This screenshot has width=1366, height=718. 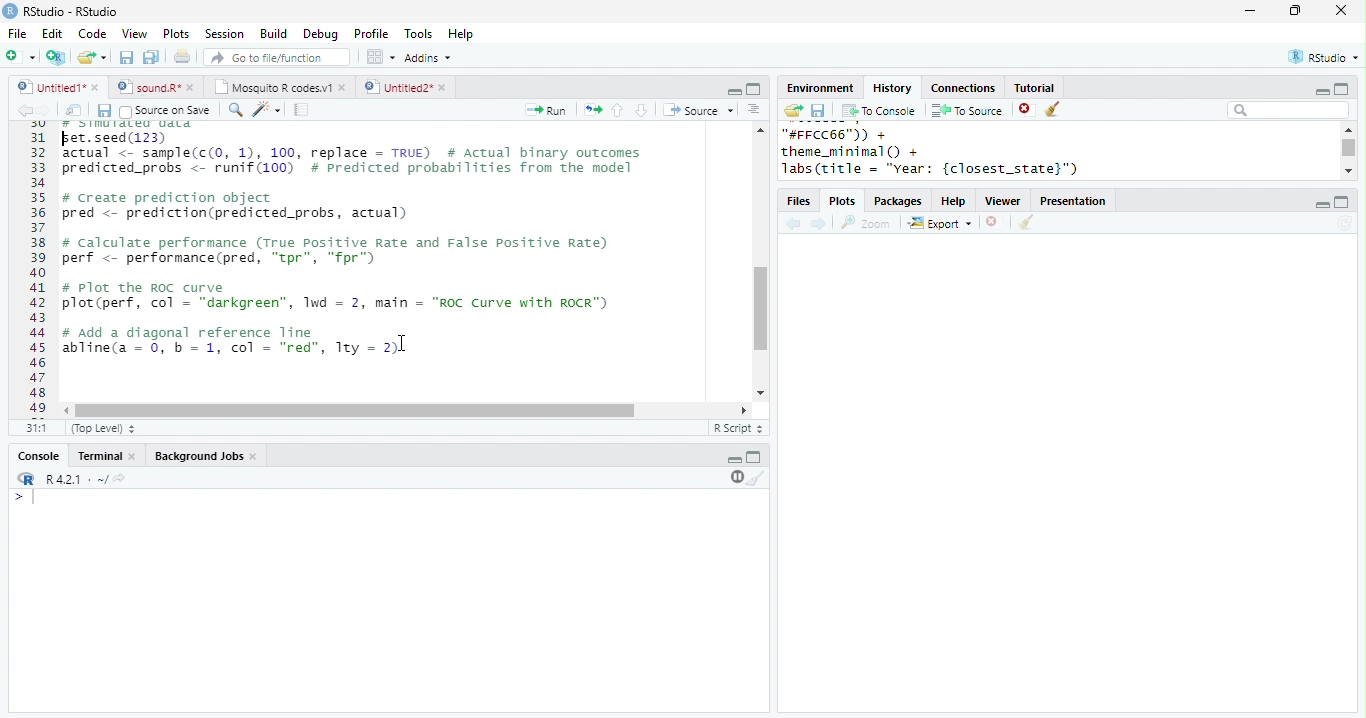 I want to click on close, so click(x=344, y=87).